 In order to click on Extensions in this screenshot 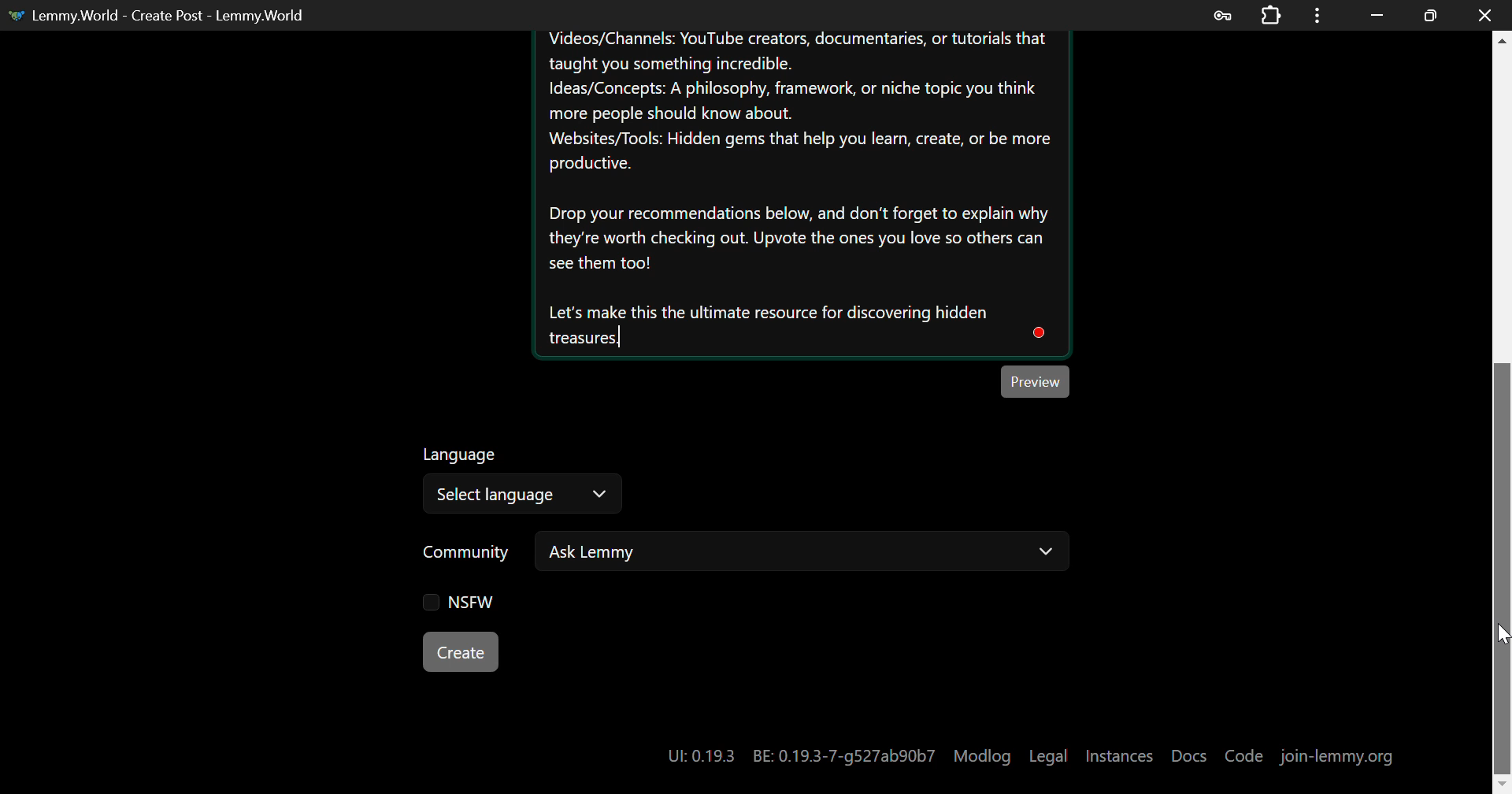, I will do `click(1271, 13)`.